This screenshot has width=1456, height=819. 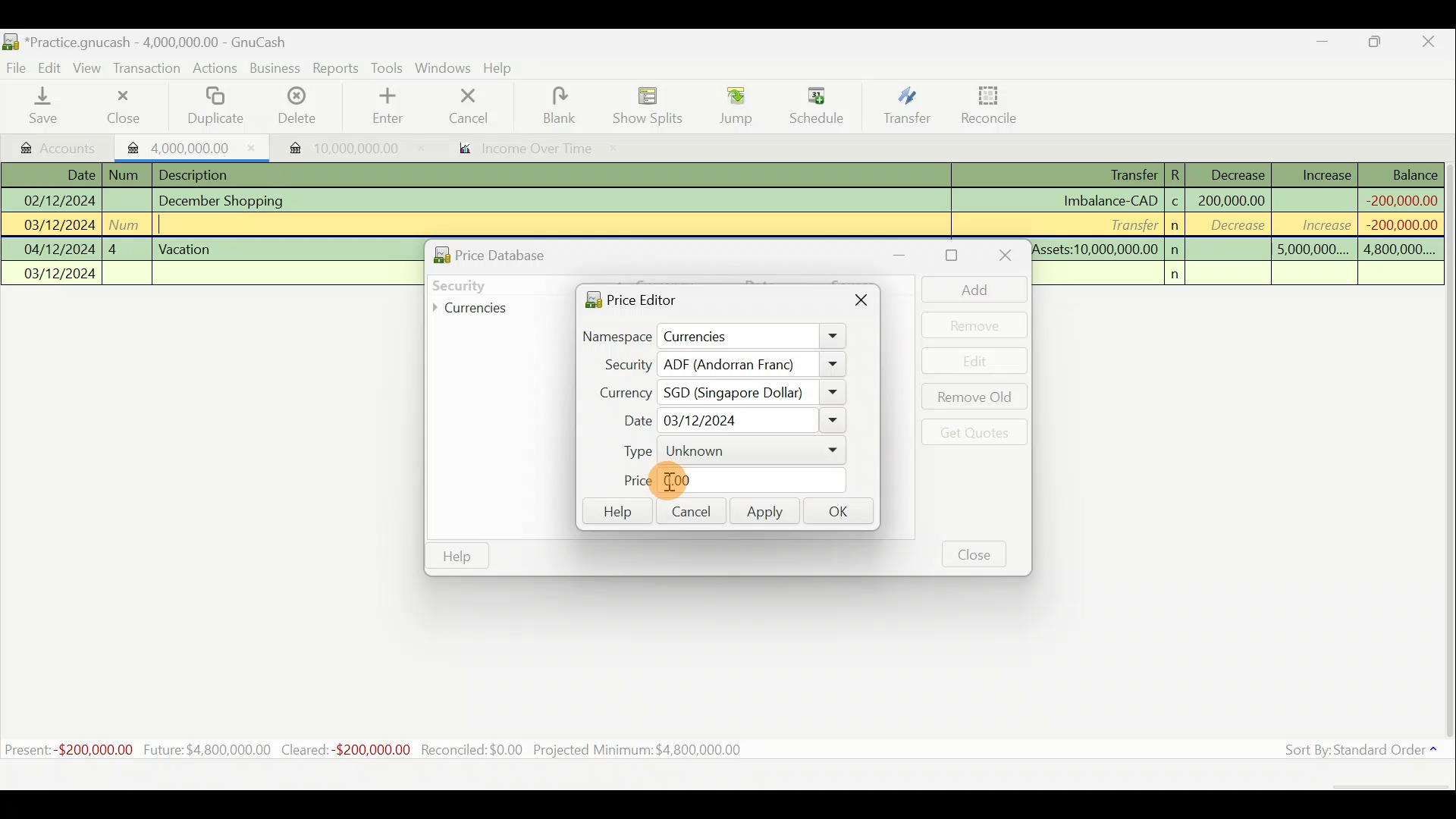 What do you see at coordinates (863, 303) in the screenshot?
I see `Close` at bounding box center [863, 303].